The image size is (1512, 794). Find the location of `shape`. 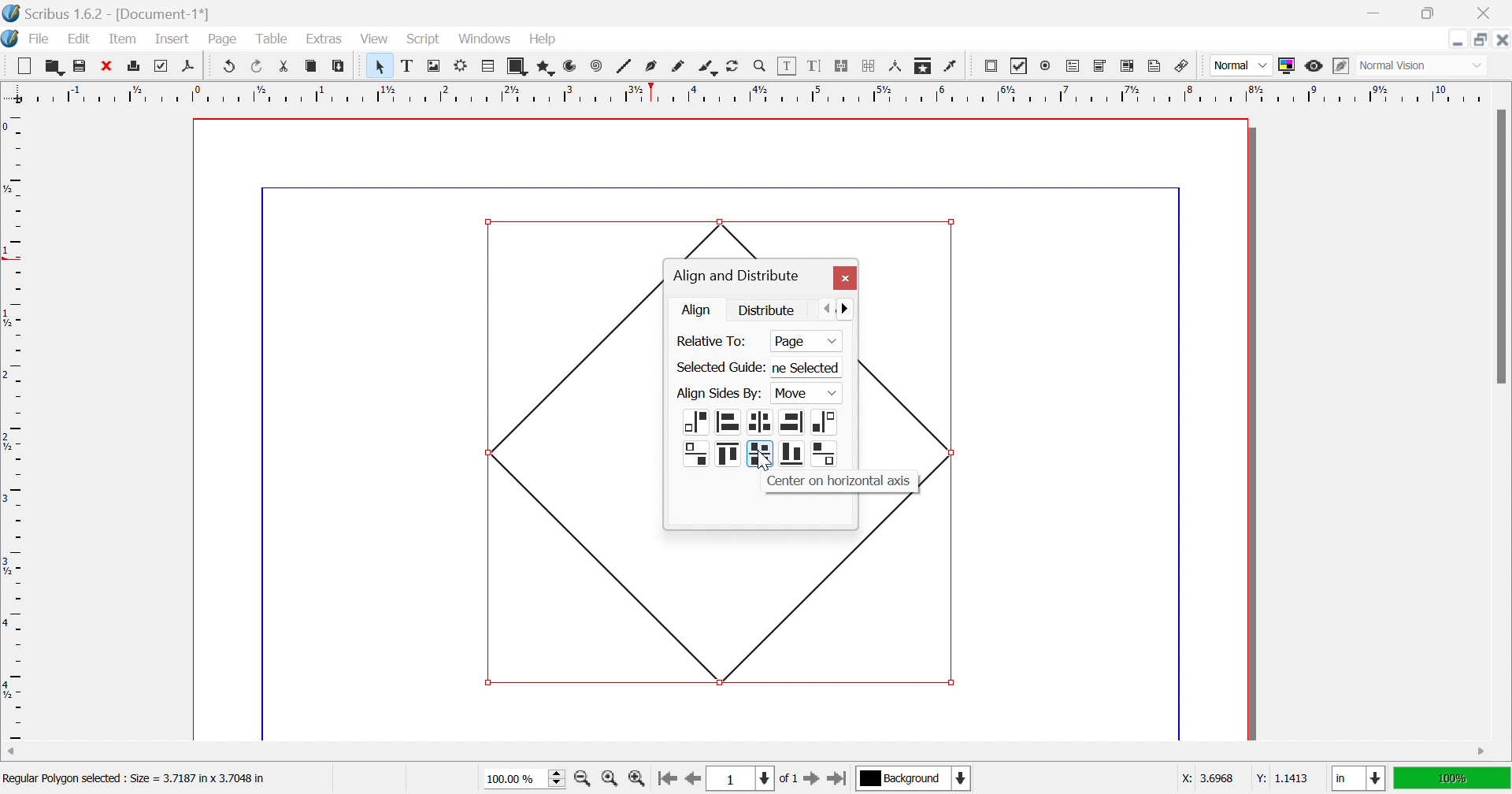

shape is located at coordinates (910, 512).